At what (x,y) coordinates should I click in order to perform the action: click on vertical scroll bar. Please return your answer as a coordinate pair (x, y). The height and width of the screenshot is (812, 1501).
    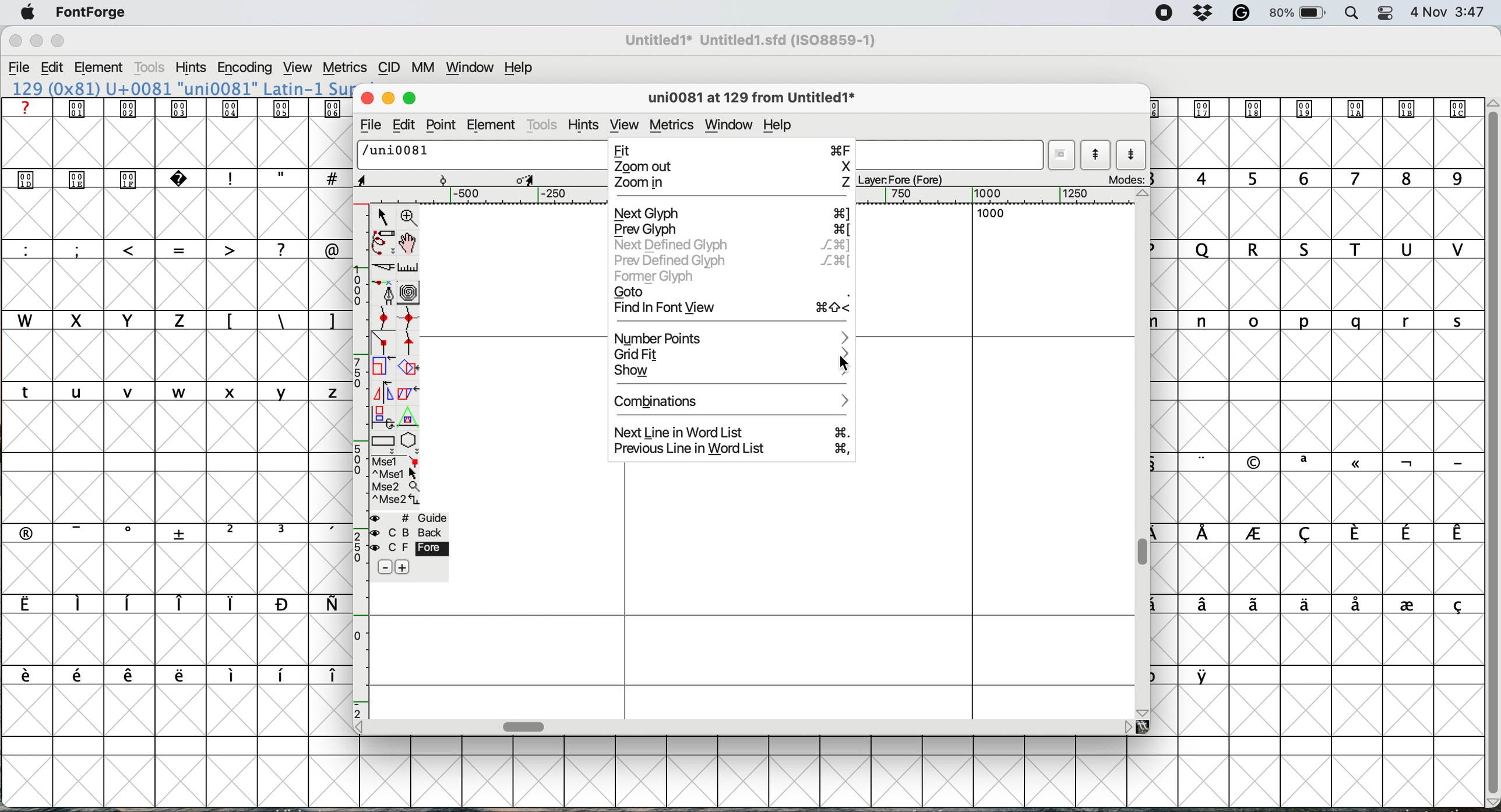
    Looking at the image, I should click on (1146, 550).